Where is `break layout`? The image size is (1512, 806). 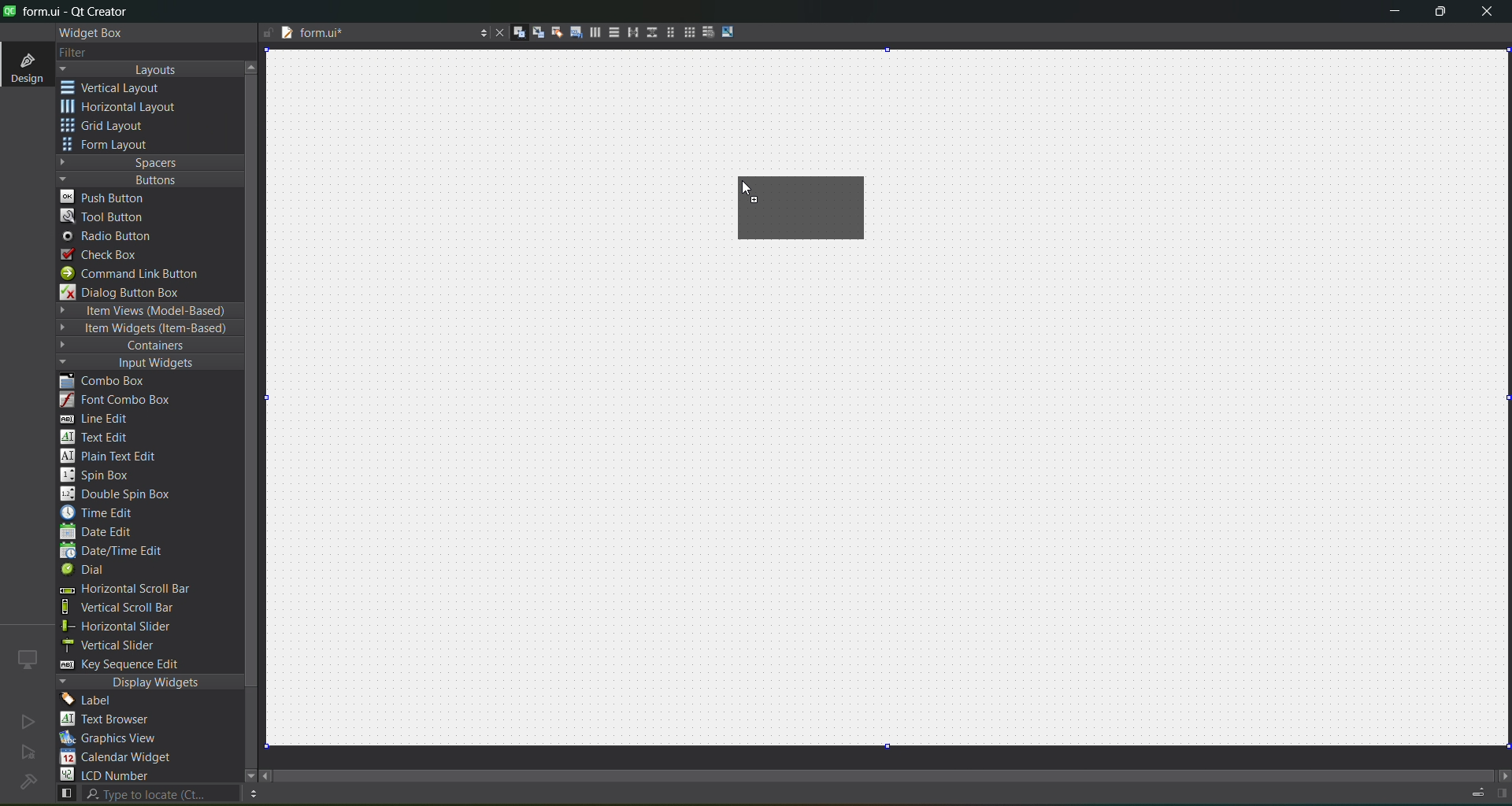 break layout is located at coordinates (704, 33).